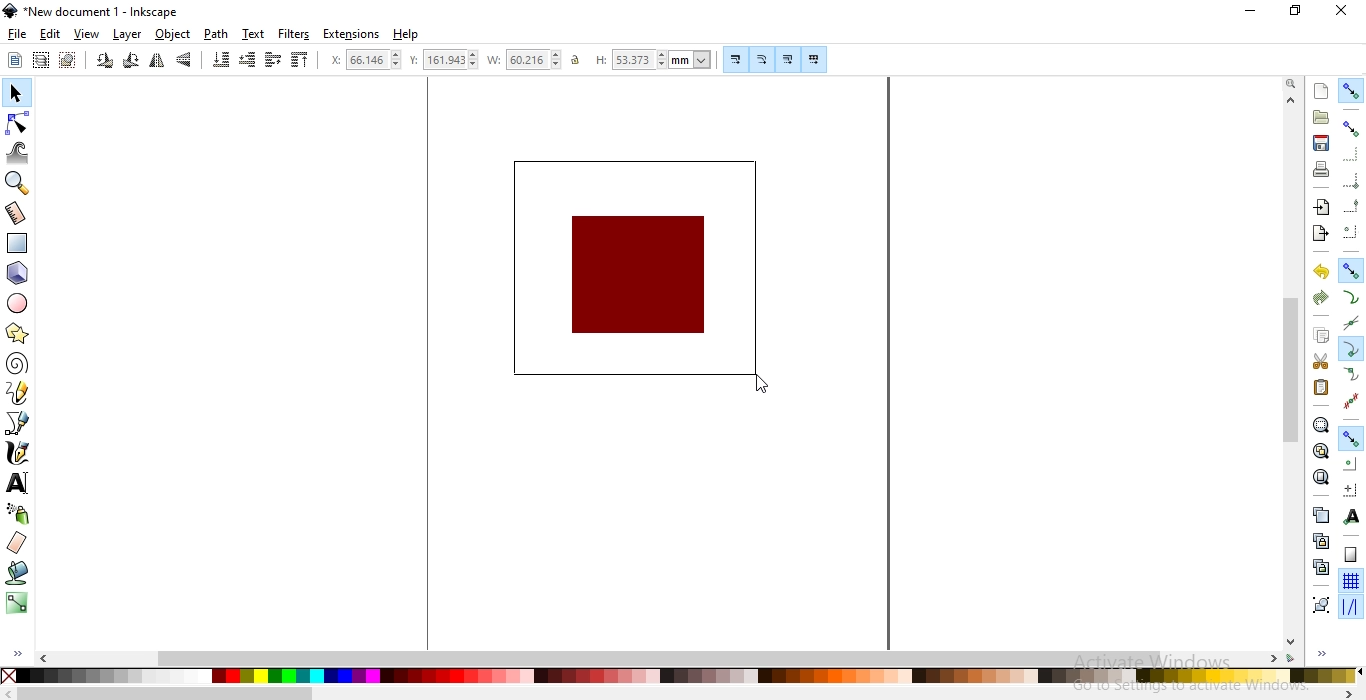  Describe the element at coordinates (1322, 91) in the screenshot. I see `create a new document` at that location.